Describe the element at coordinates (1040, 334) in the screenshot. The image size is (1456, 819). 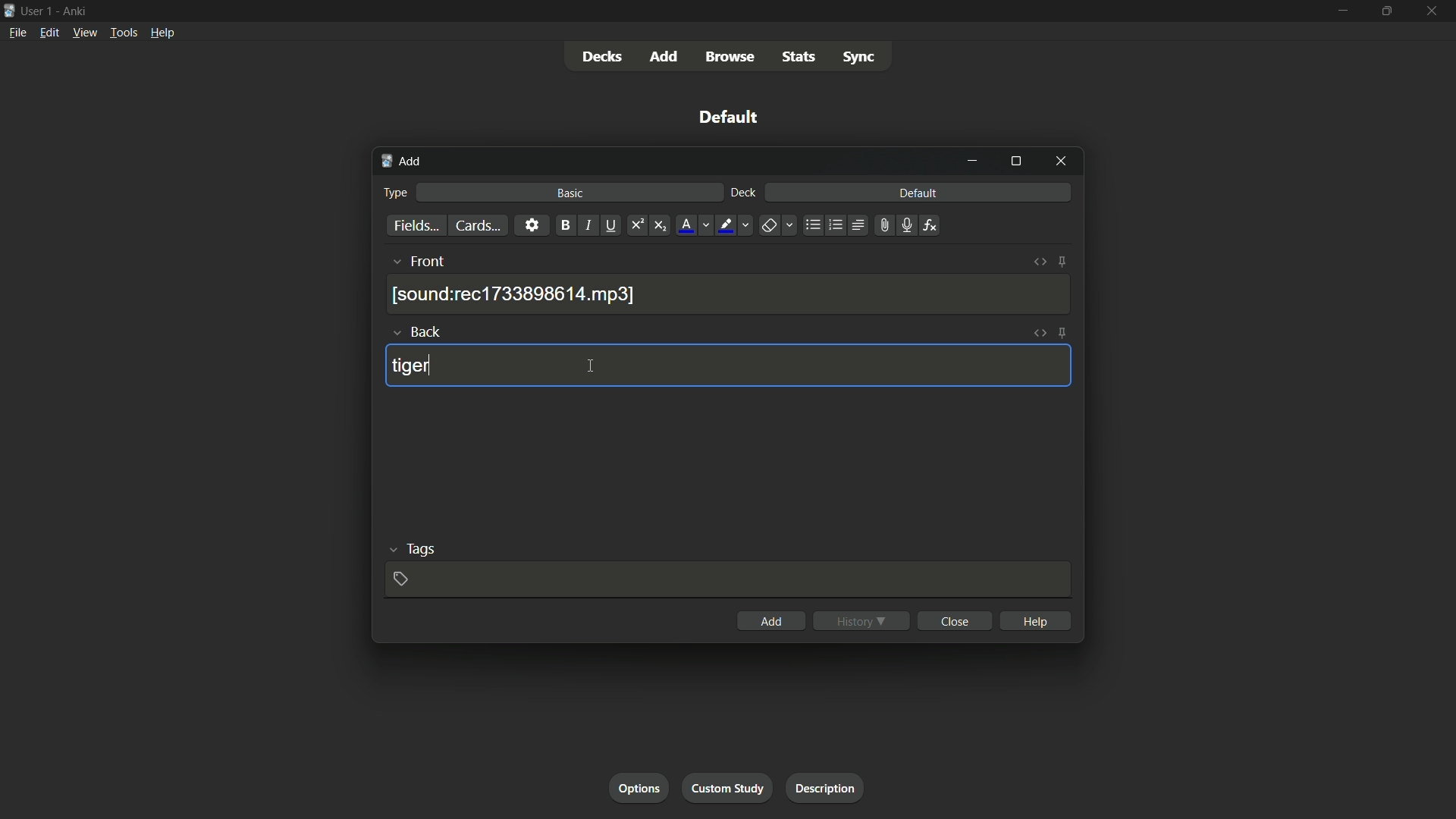
I see `toggle html editor` at that location.